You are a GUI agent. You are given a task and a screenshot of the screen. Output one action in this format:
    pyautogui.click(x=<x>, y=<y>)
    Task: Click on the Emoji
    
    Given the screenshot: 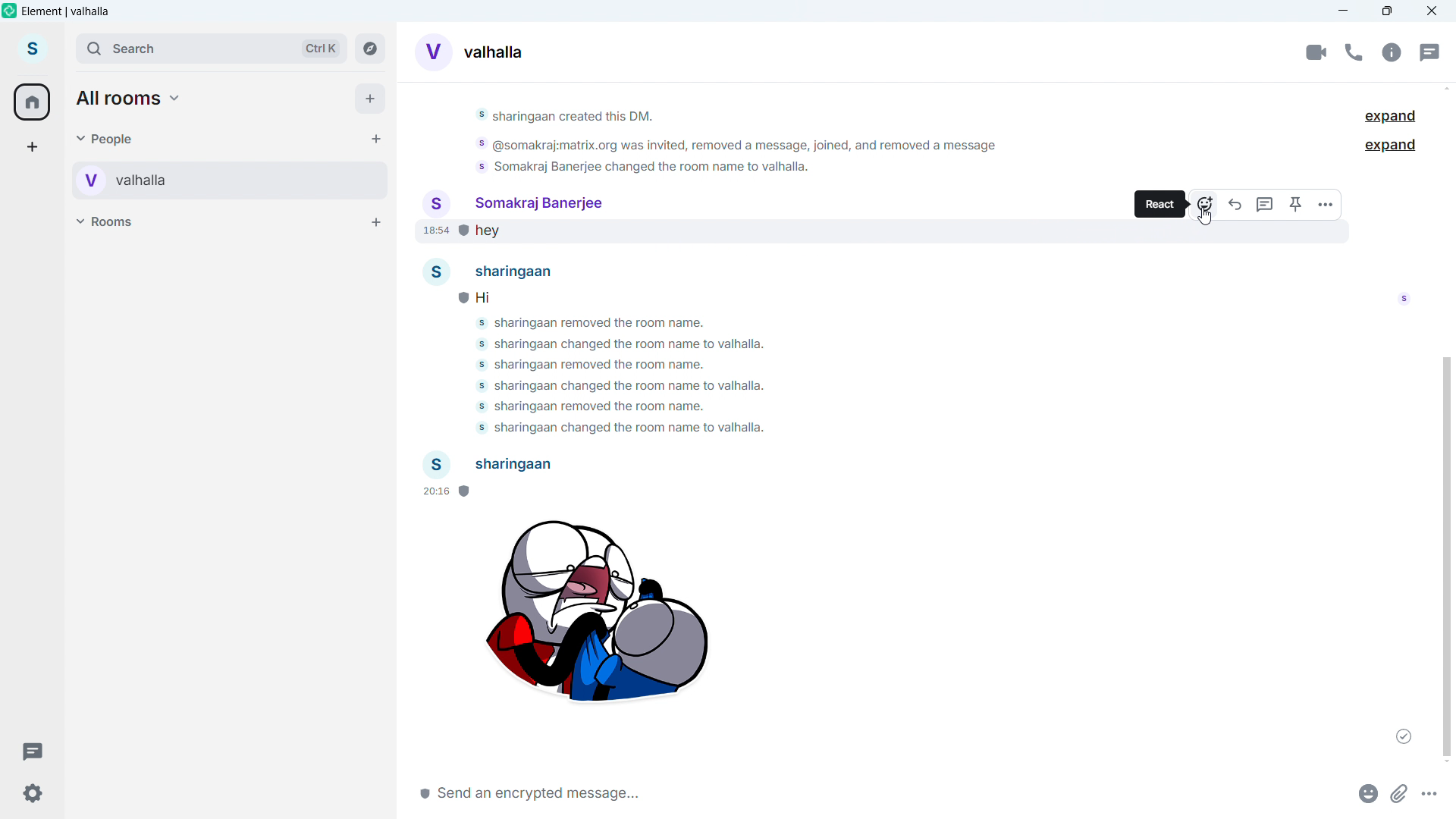 What is the action you would take?
    pyautogui.click(x=1365, y=792)
    